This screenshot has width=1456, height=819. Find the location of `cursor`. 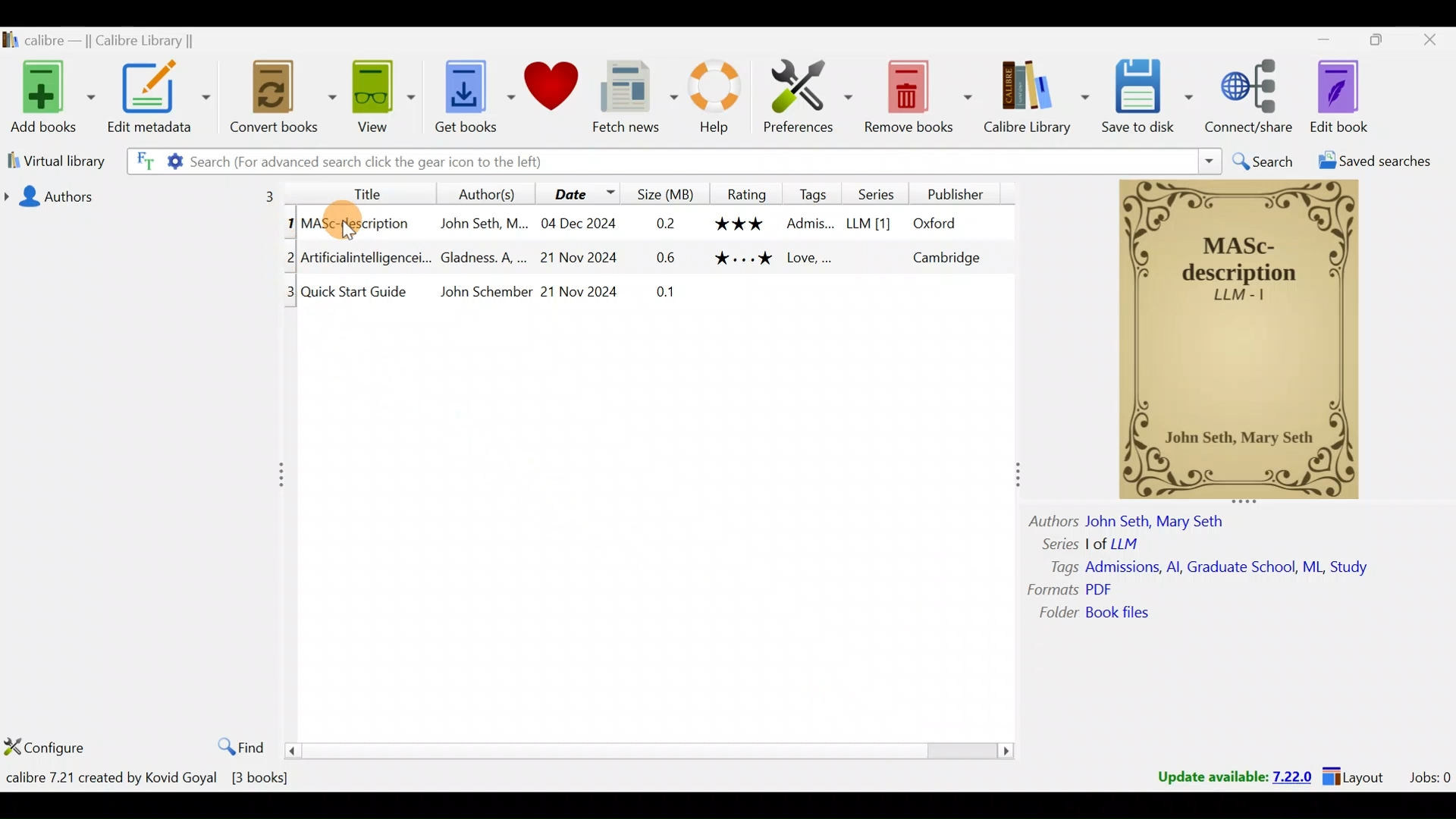

cursor is located at coordinates (353, 231).